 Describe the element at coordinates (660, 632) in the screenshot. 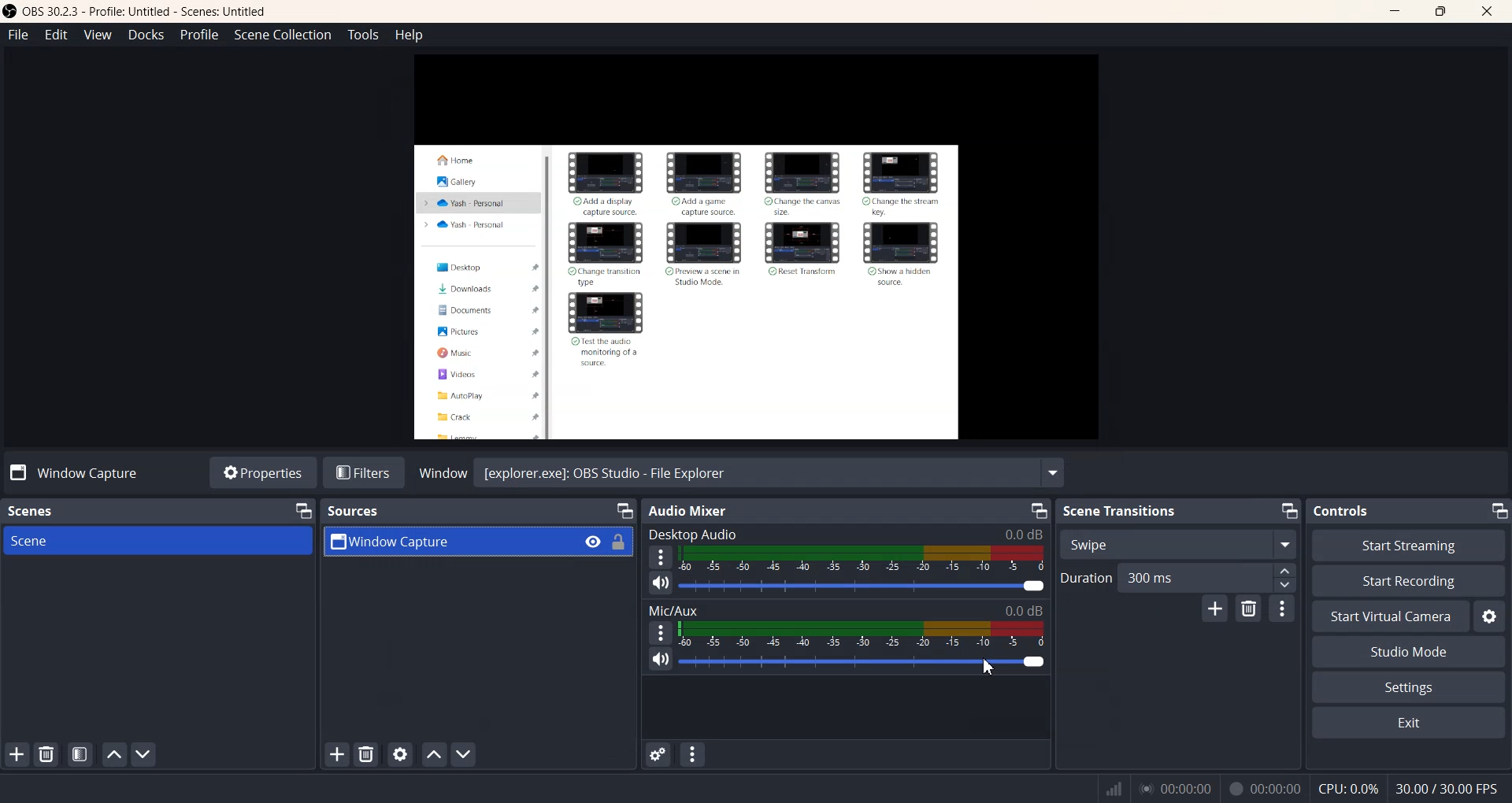

I see `More` at that location.